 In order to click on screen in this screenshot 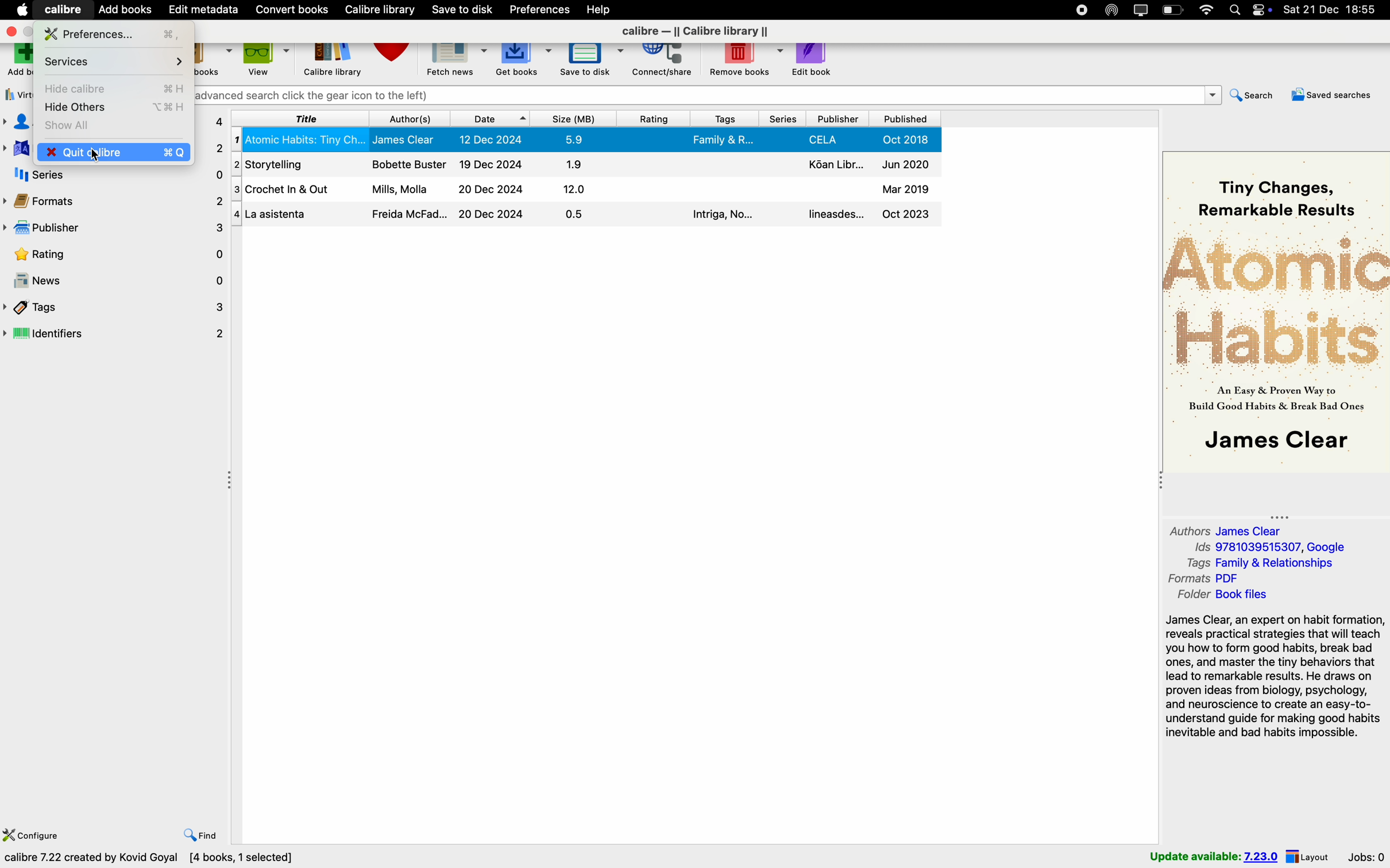, I will do `click(1141, 10)`.